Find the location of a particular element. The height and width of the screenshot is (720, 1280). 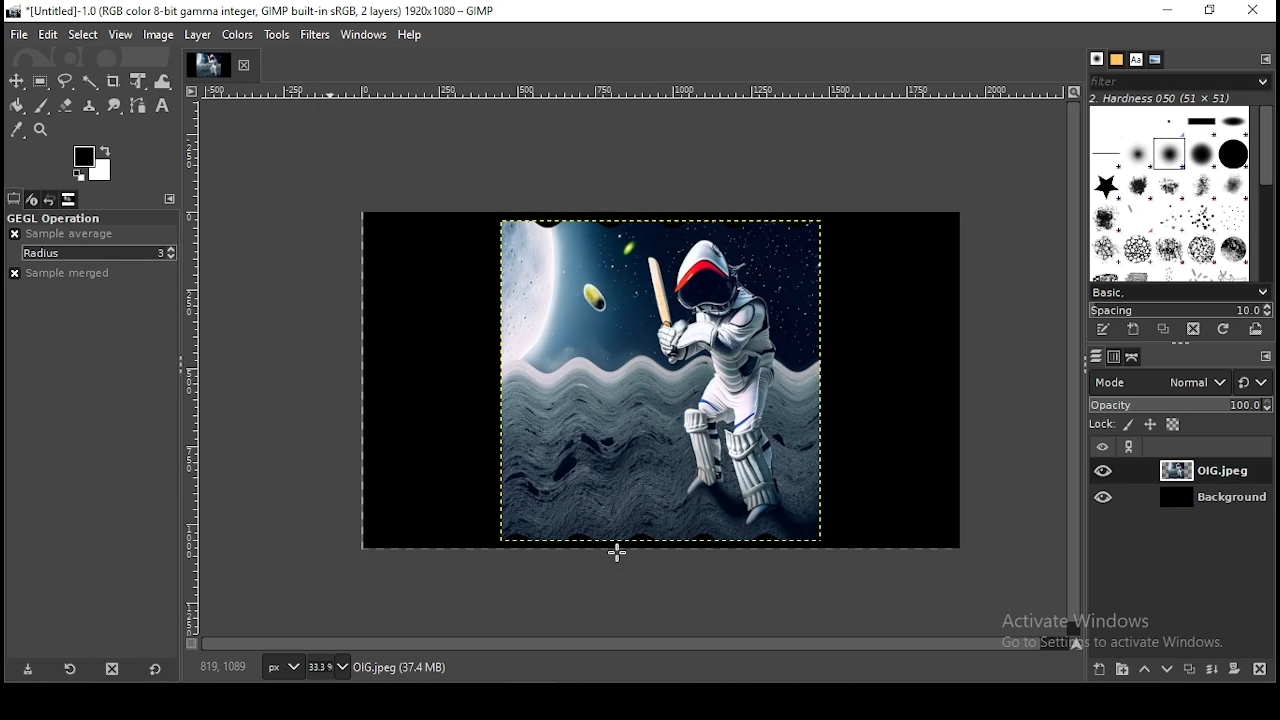

filters is located at coordinates (315, 35).